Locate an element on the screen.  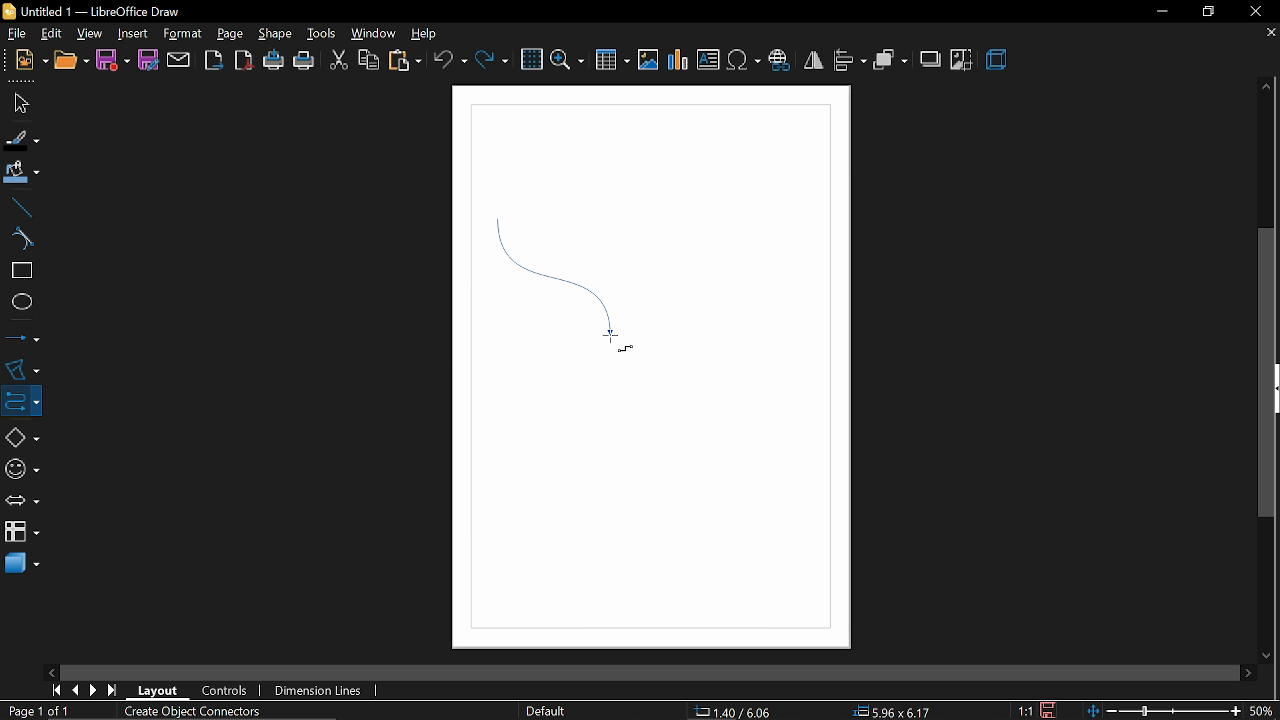
window is located at coordinates (371, 34).